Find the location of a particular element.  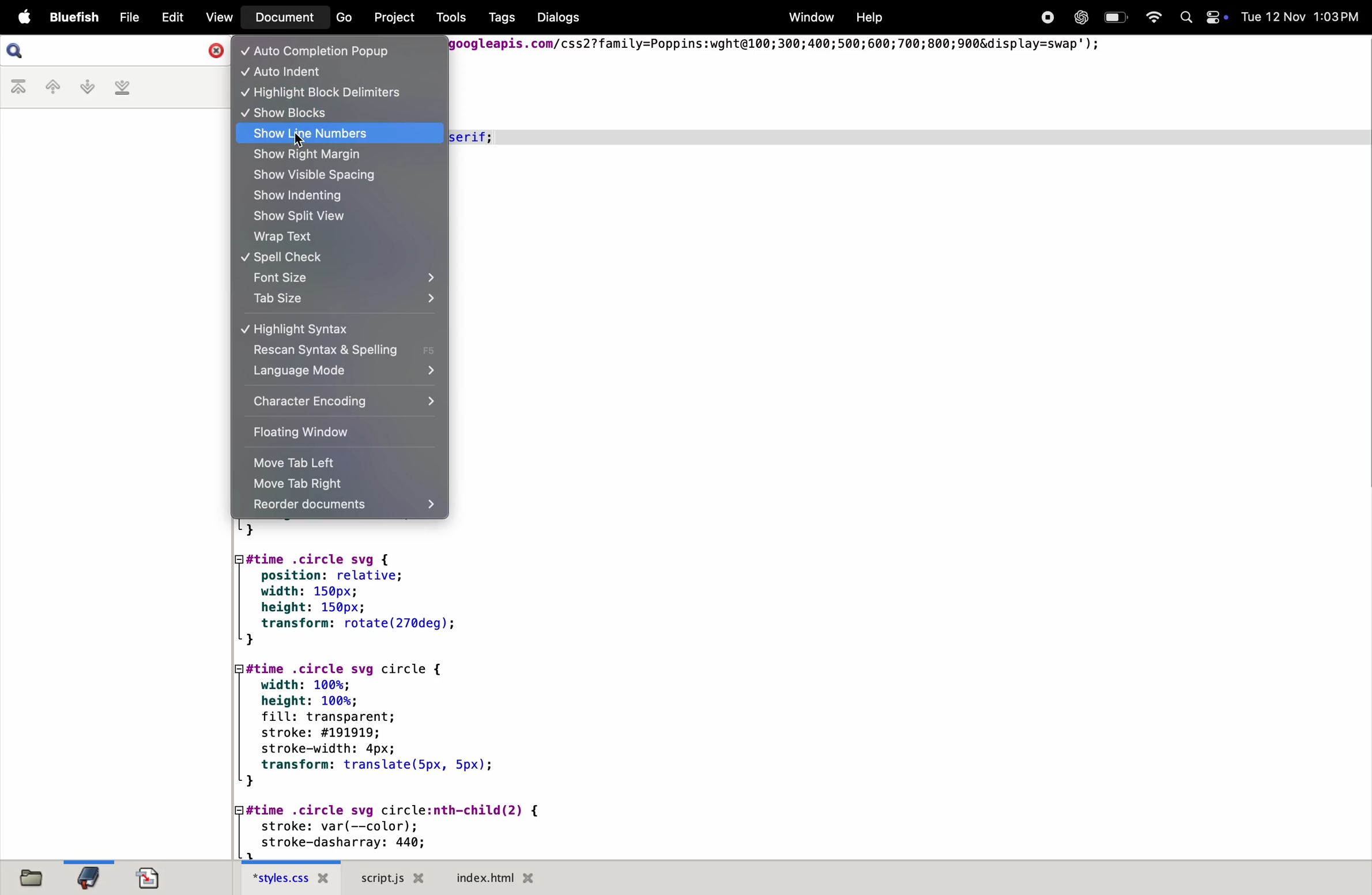

script.js is located at coordinates (393, 878).